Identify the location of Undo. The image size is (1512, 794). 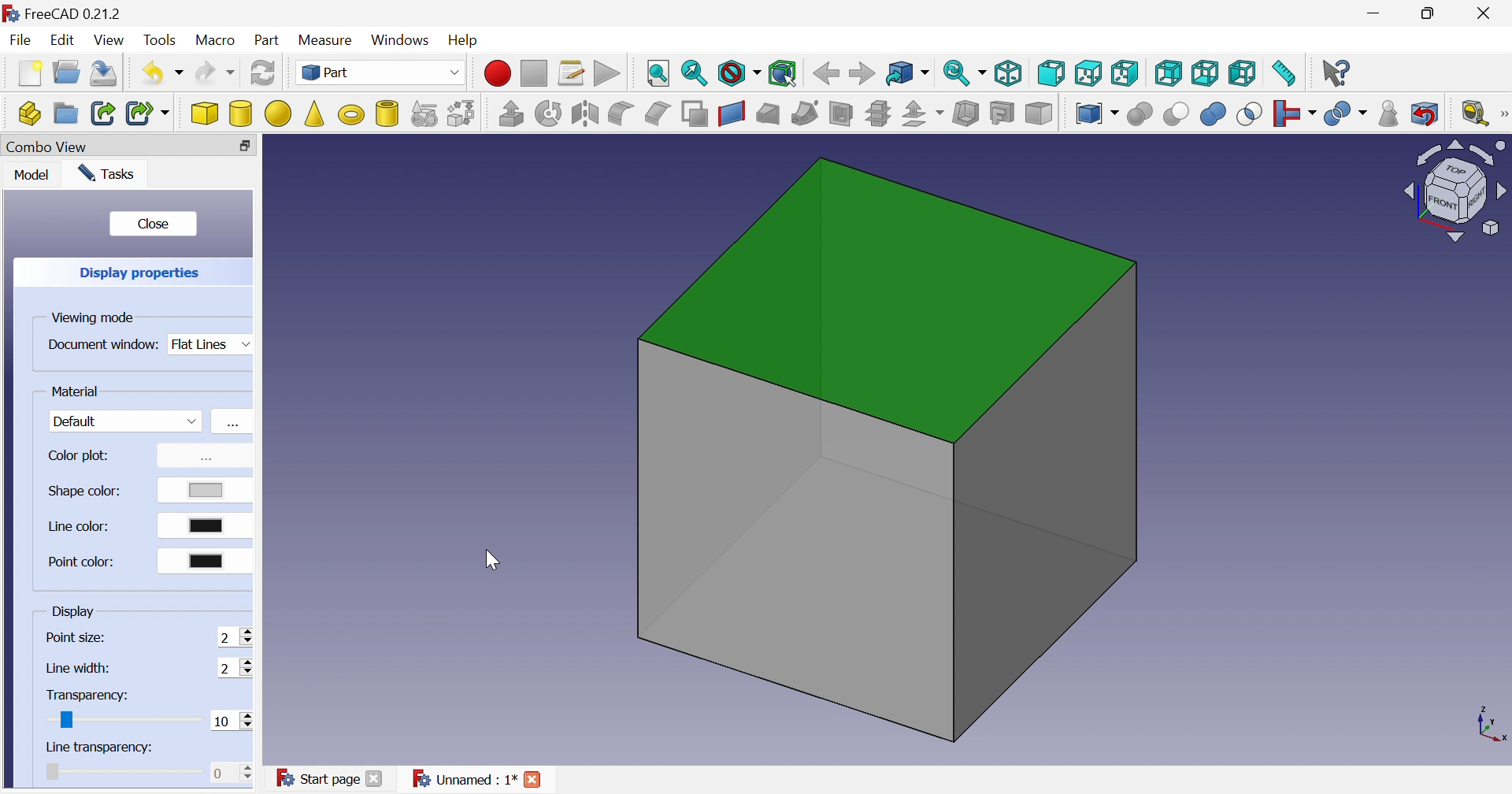
(163, 72).